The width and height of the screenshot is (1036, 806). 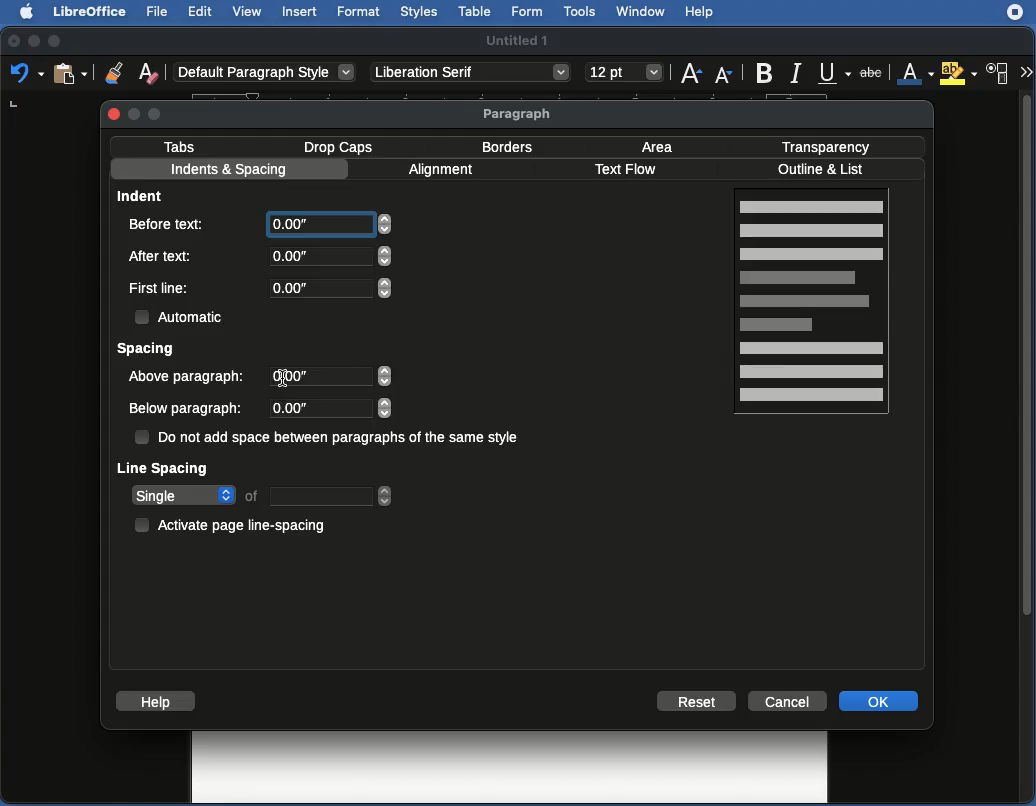 I want to click on Area, so click(x=662, y=146).